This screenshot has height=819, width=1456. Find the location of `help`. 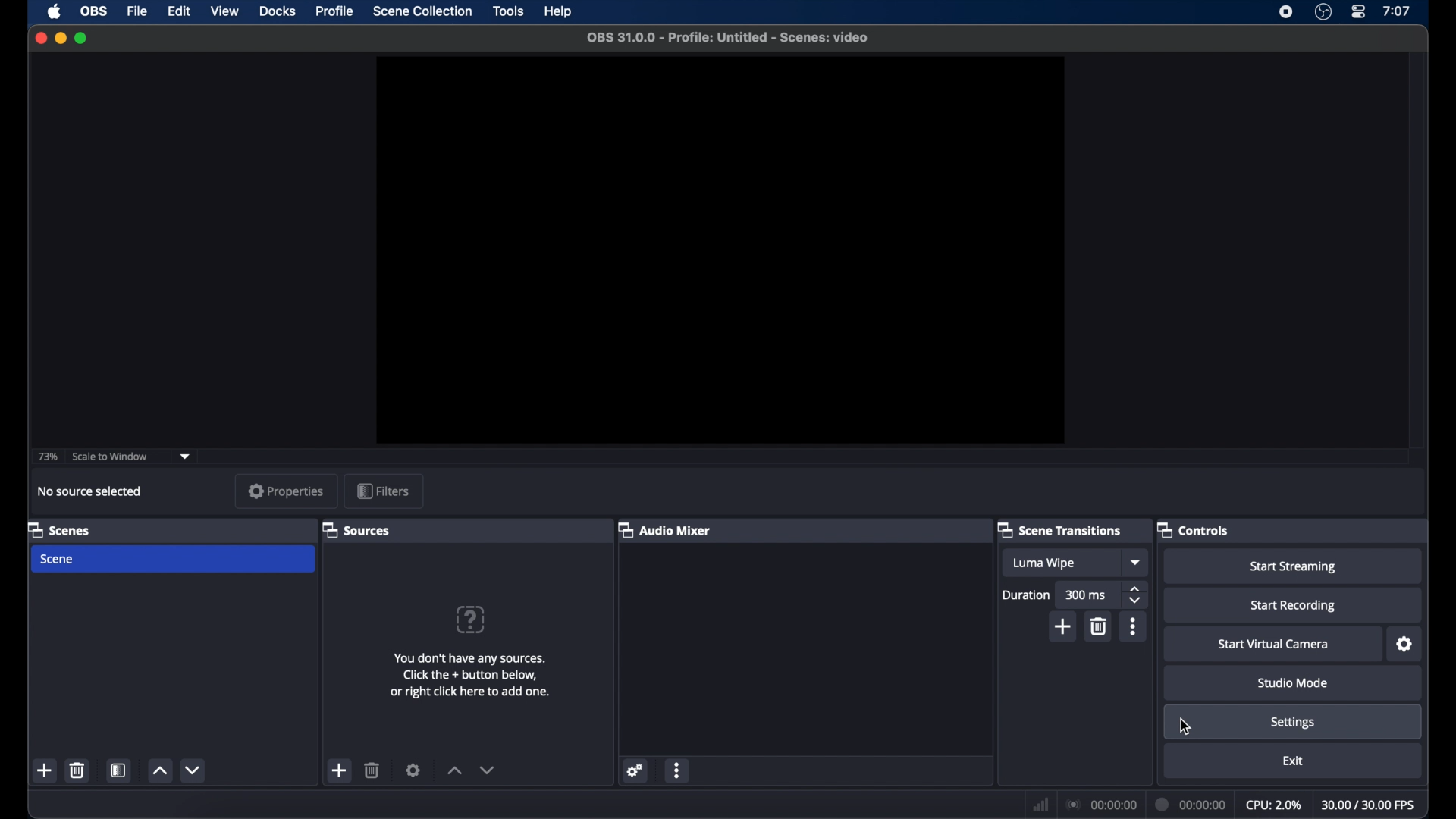

help is located at coordinates (558, 11).